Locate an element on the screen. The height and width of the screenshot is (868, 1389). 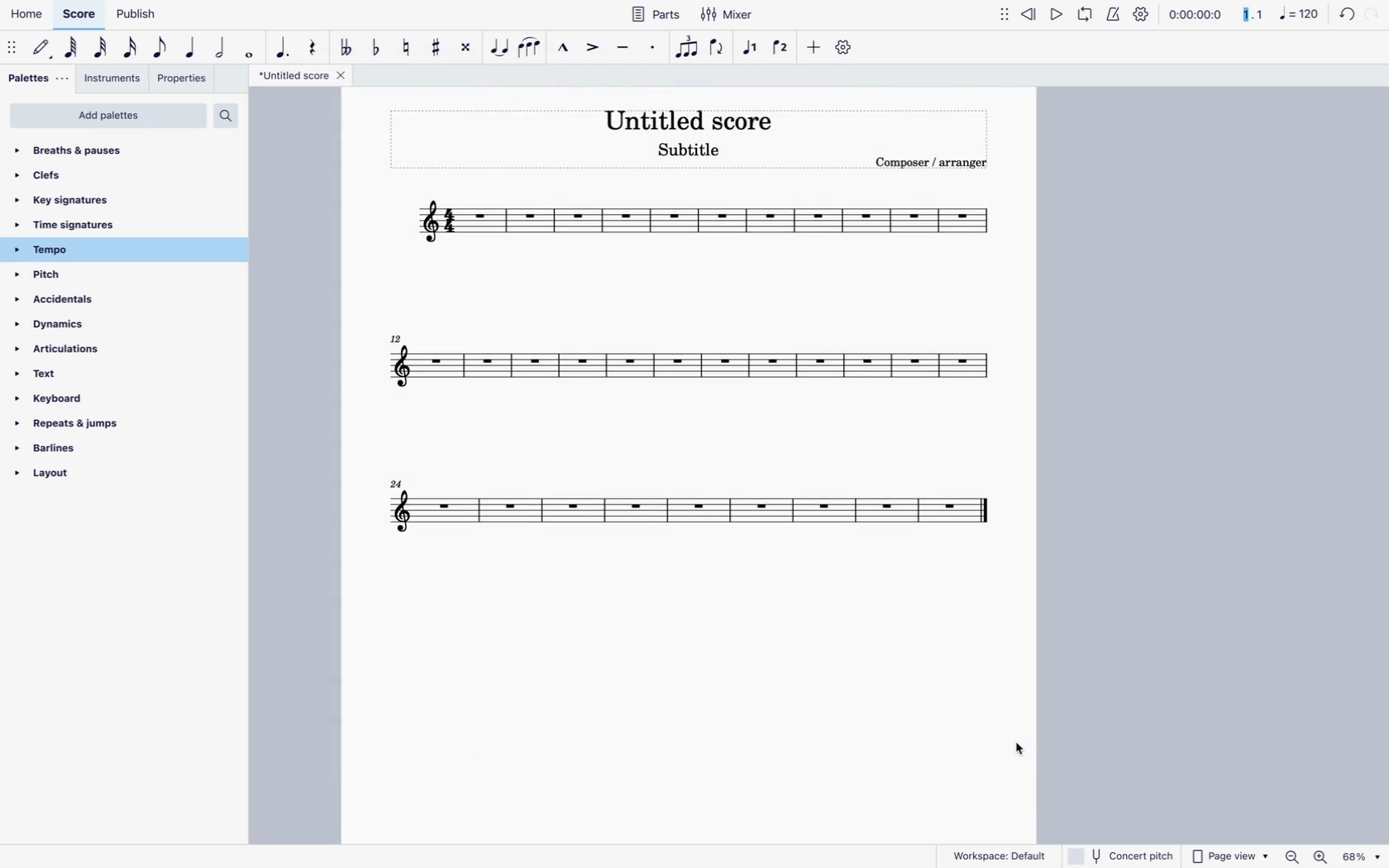
slur is located at coordinates (530, 48).